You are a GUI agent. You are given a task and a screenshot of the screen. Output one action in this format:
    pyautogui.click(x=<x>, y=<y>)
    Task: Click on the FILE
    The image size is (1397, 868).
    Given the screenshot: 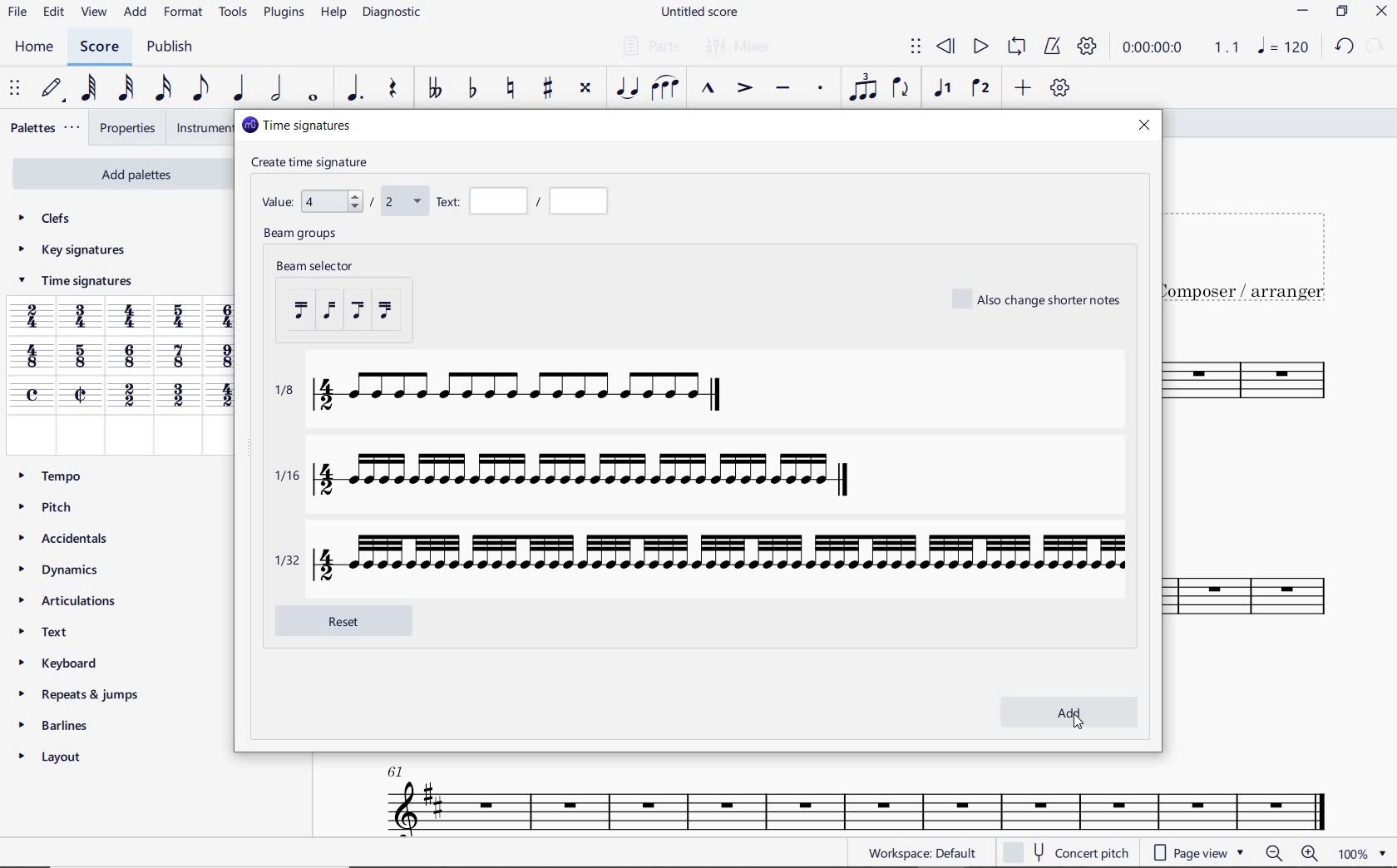 What is the action you would take?
    pyautogui.click(x=17, y=13)
    